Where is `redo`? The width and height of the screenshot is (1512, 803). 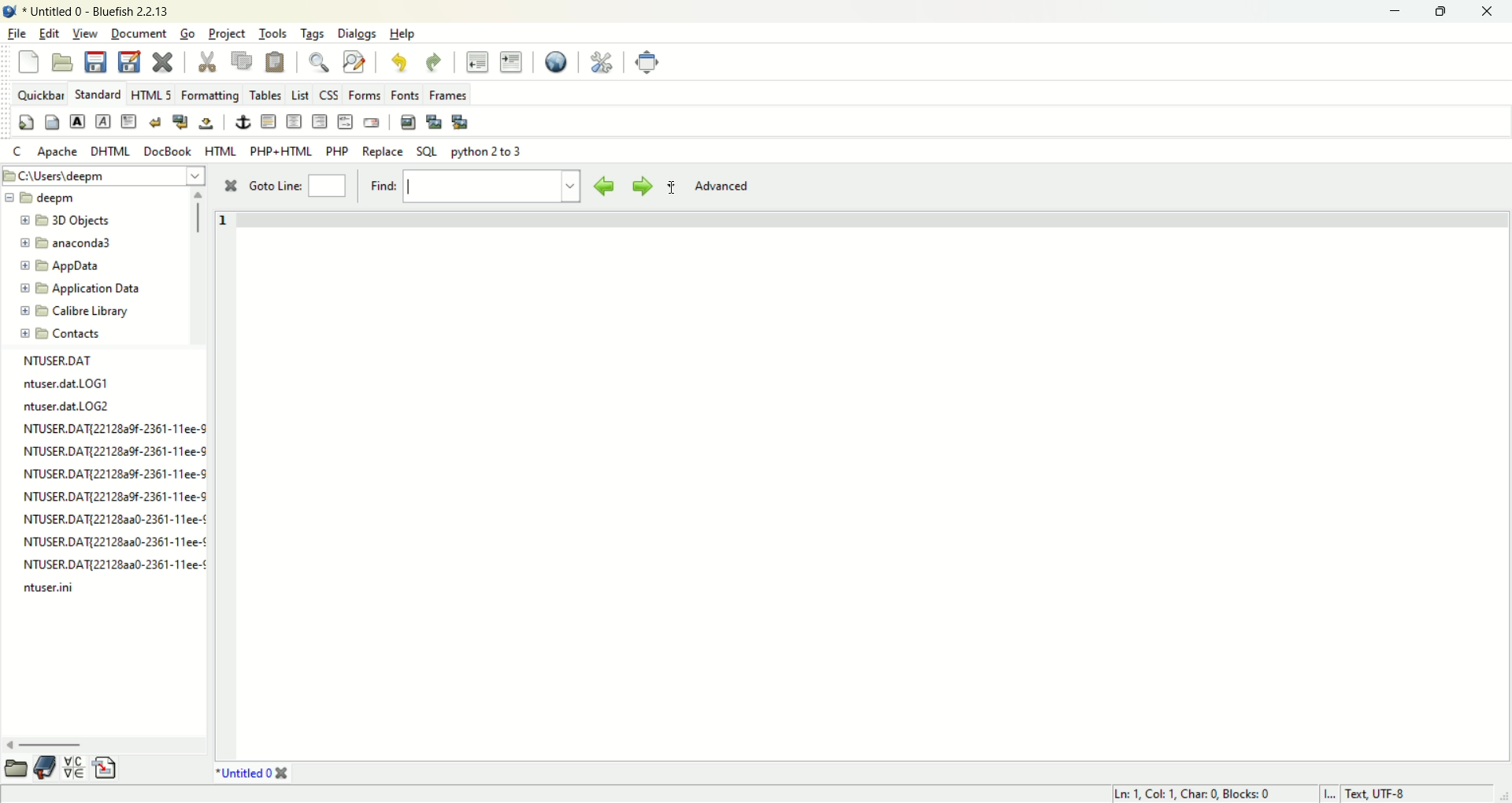
redo is located at coordinates (434, 63).